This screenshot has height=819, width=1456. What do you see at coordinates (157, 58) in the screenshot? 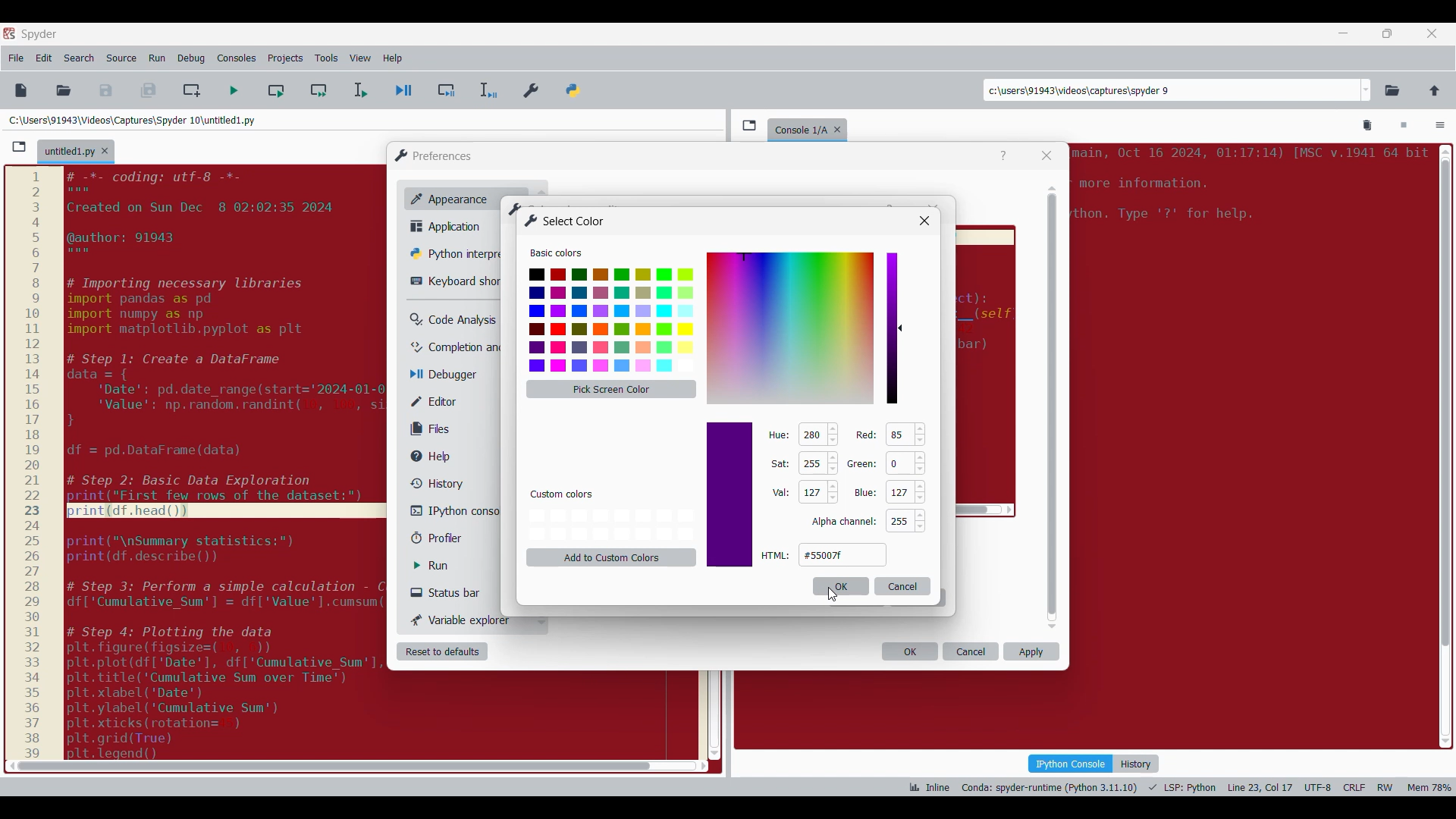
I see `Run menu` at bounding box center [157, 58].